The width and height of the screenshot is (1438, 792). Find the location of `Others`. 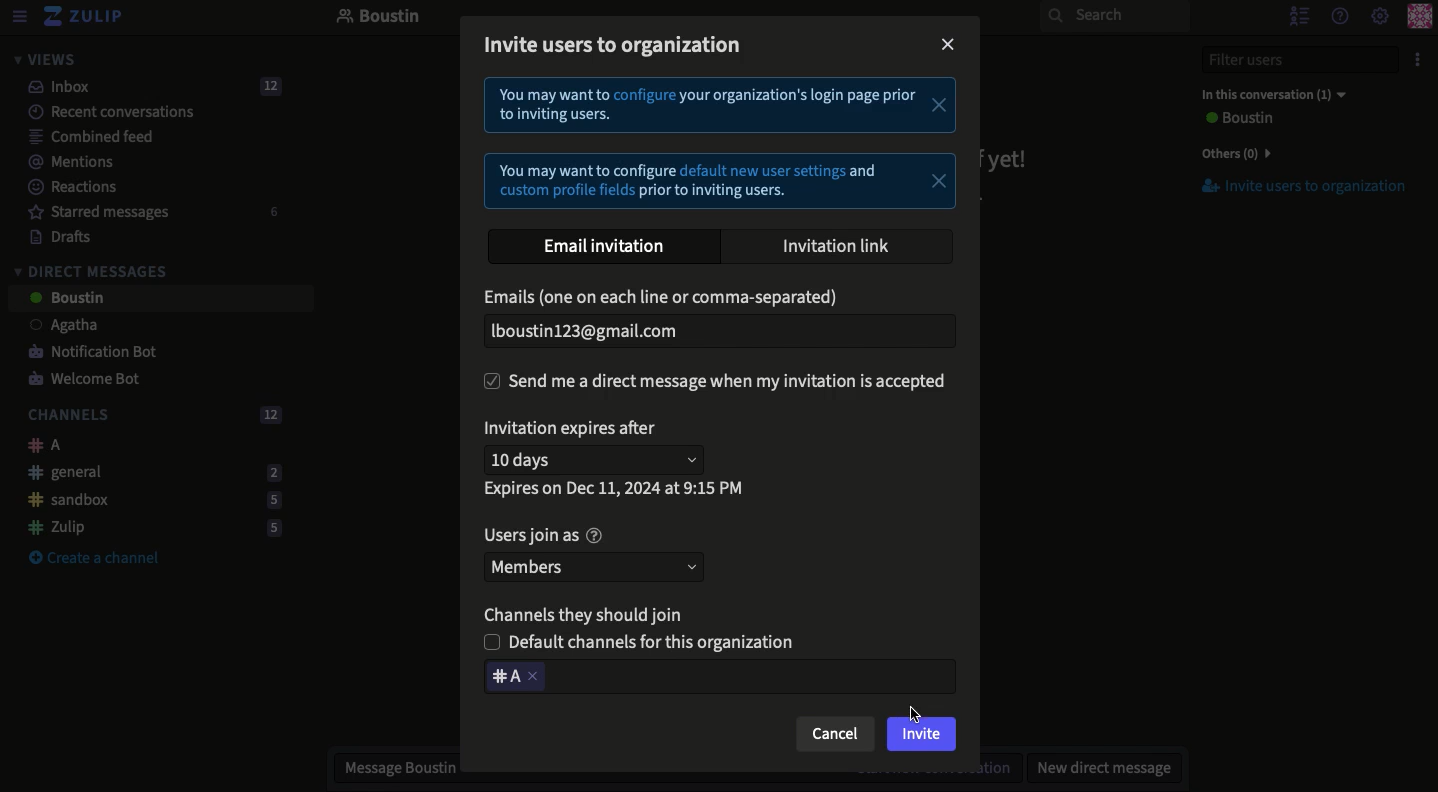

Others is located at coordinates (1232, 153).